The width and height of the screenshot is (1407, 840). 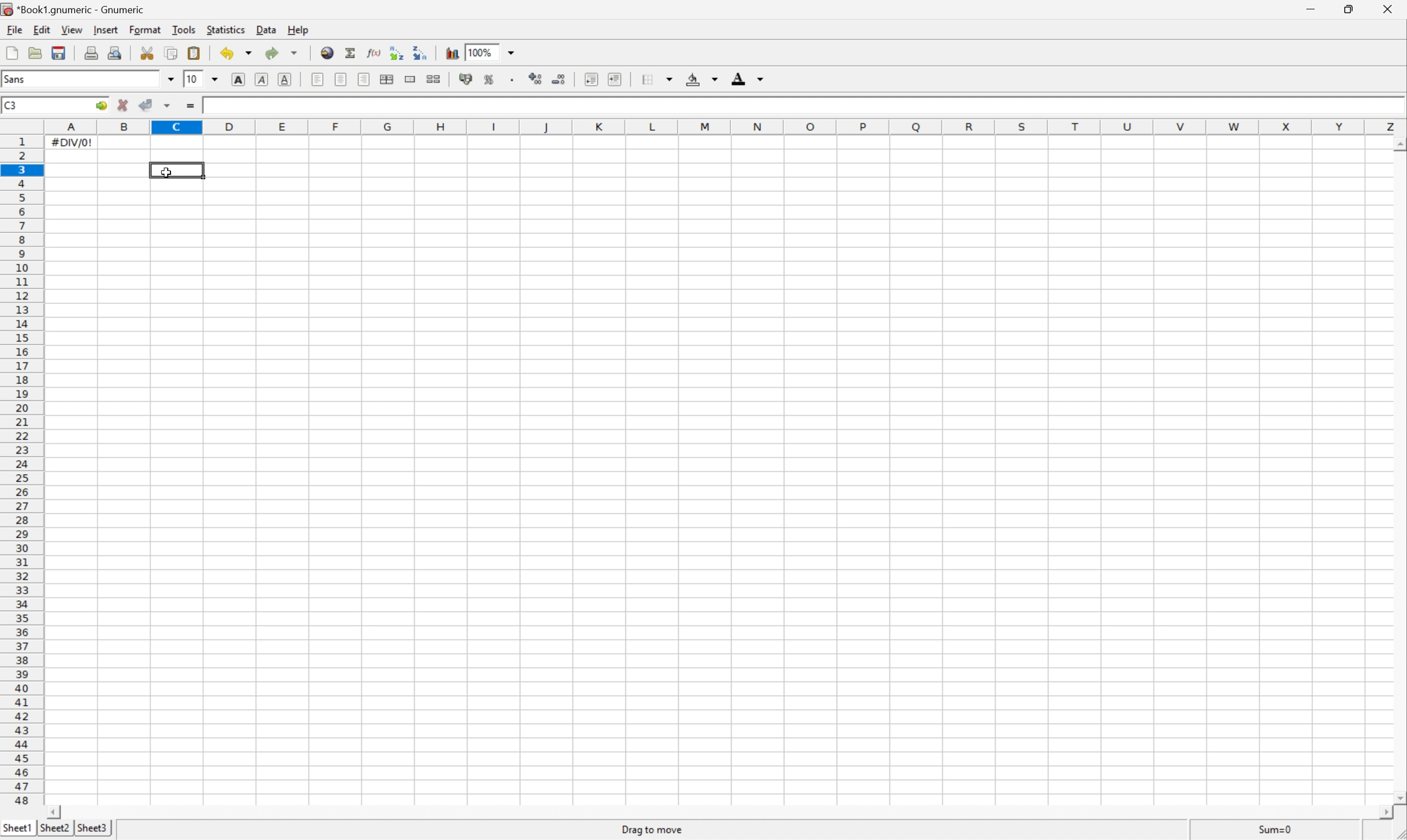 I want to click on Data, so click(x=267, y=30).